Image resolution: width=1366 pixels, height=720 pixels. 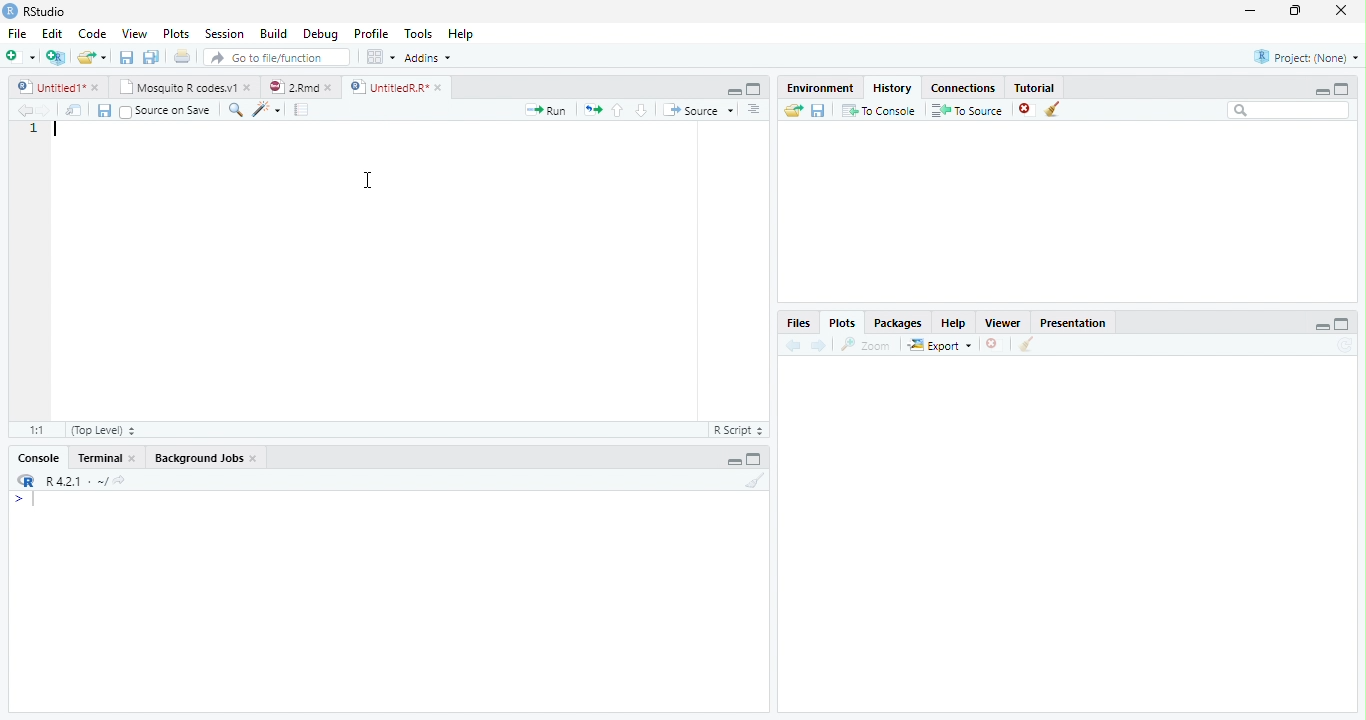 What do you see at coordinates (34, 12) in the screenshot?
I see `' RStudio` at bounding box center [34, 12].